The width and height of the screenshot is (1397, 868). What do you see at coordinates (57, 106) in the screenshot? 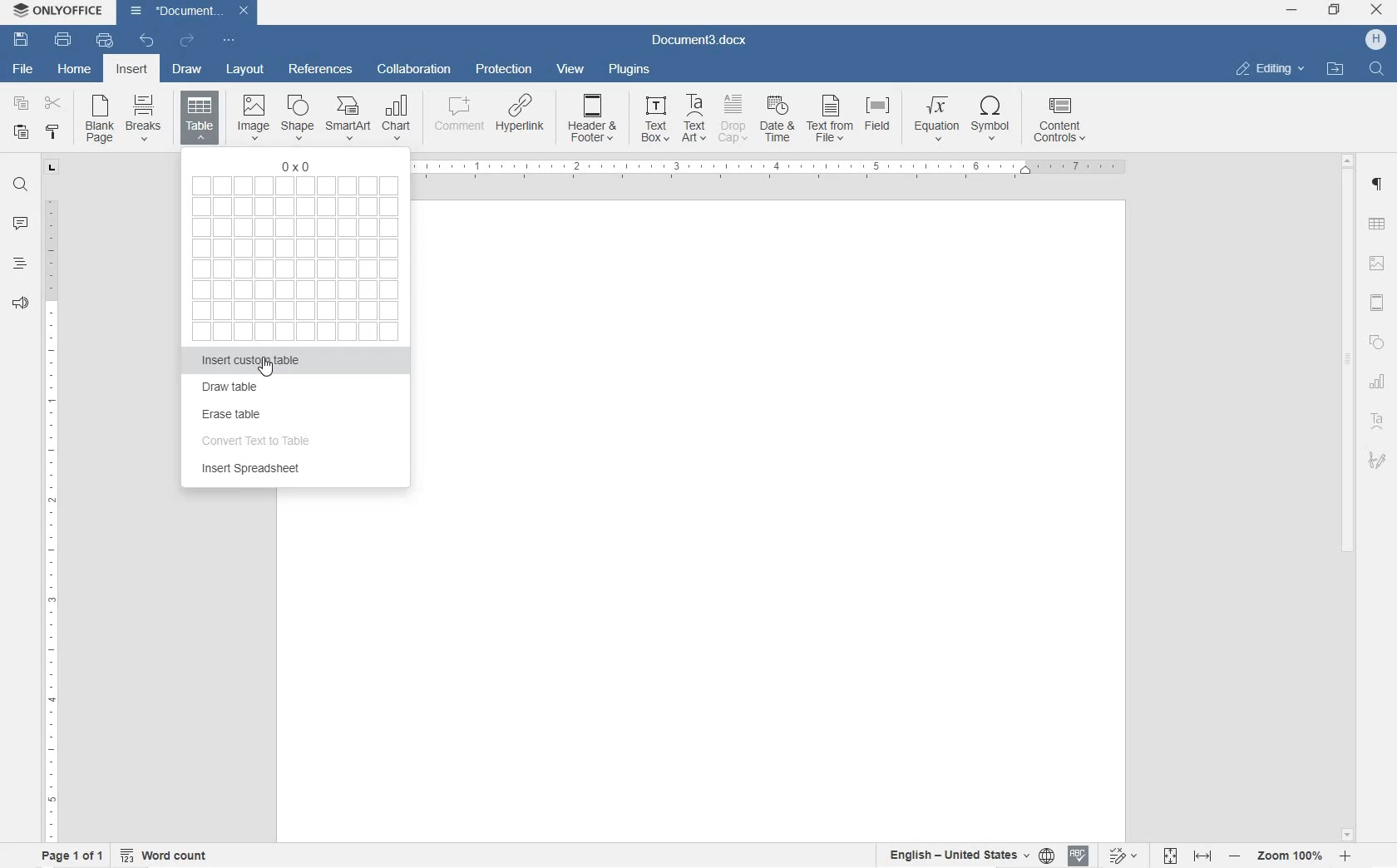
I see `CUT` at bounding box center [57, 106].